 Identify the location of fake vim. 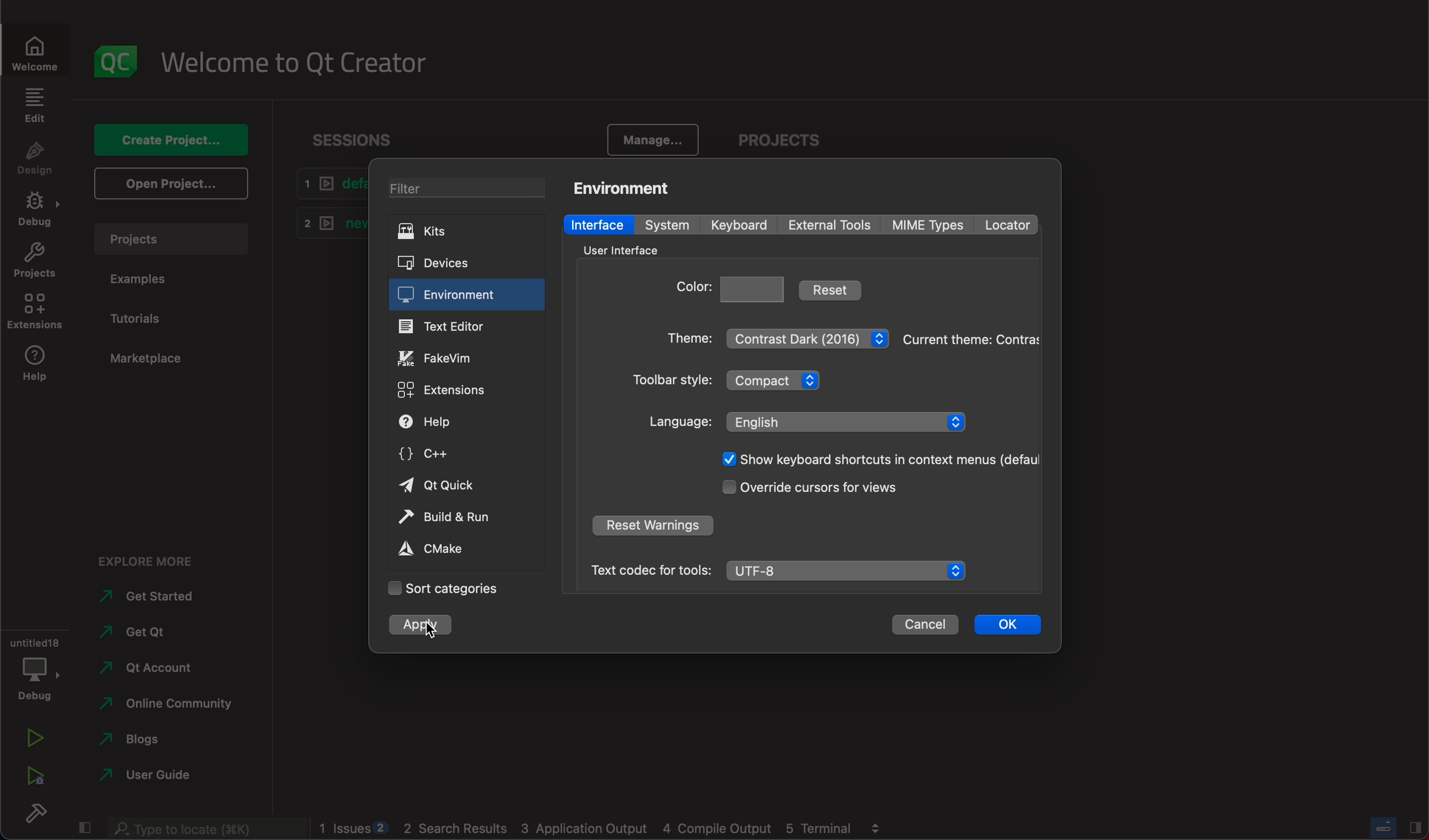
(449, 358).